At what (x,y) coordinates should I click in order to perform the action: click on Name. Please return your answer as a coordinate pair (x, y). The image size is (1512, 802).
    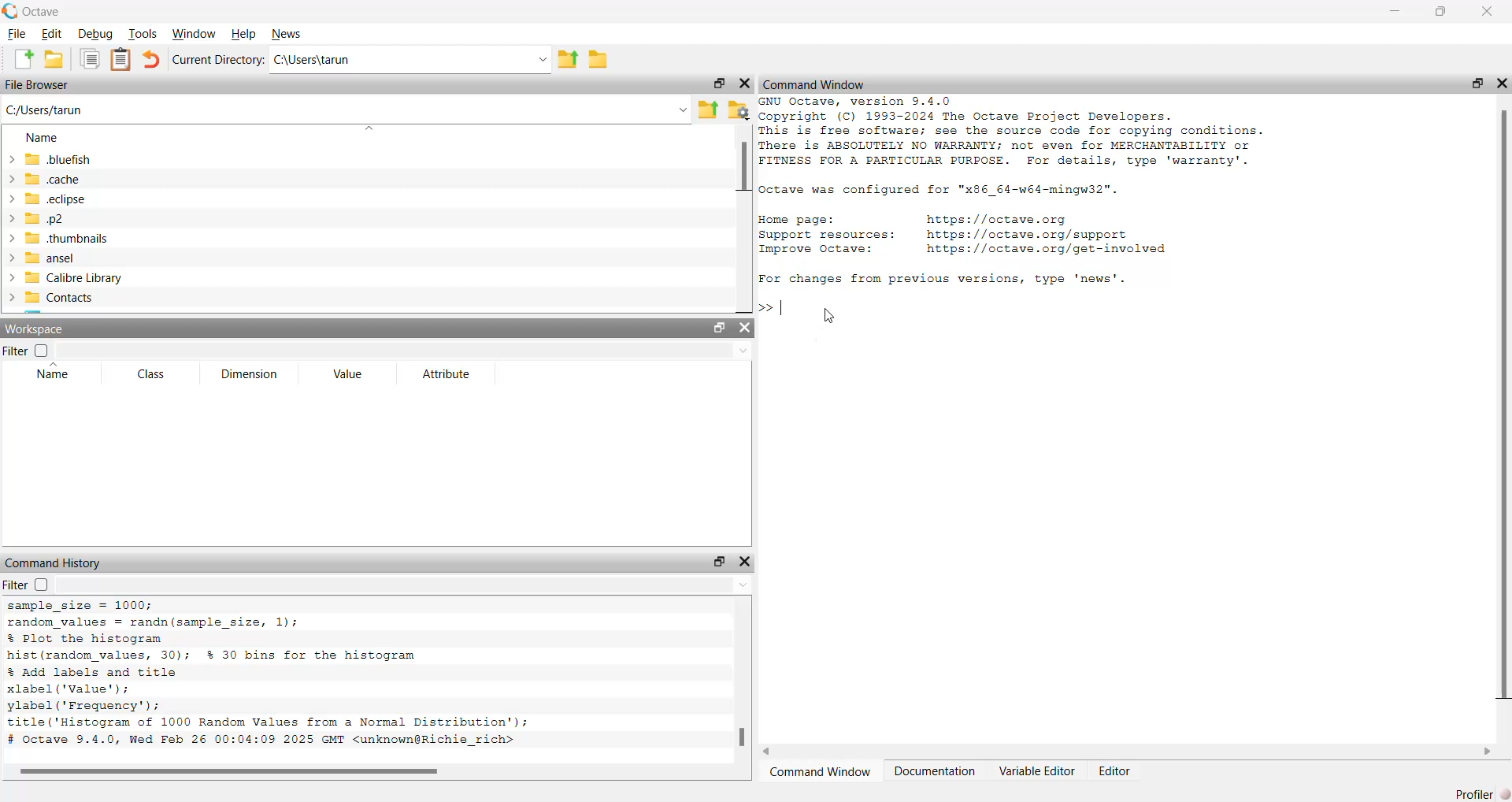
    Looking at the image, I should click on (41, 138).